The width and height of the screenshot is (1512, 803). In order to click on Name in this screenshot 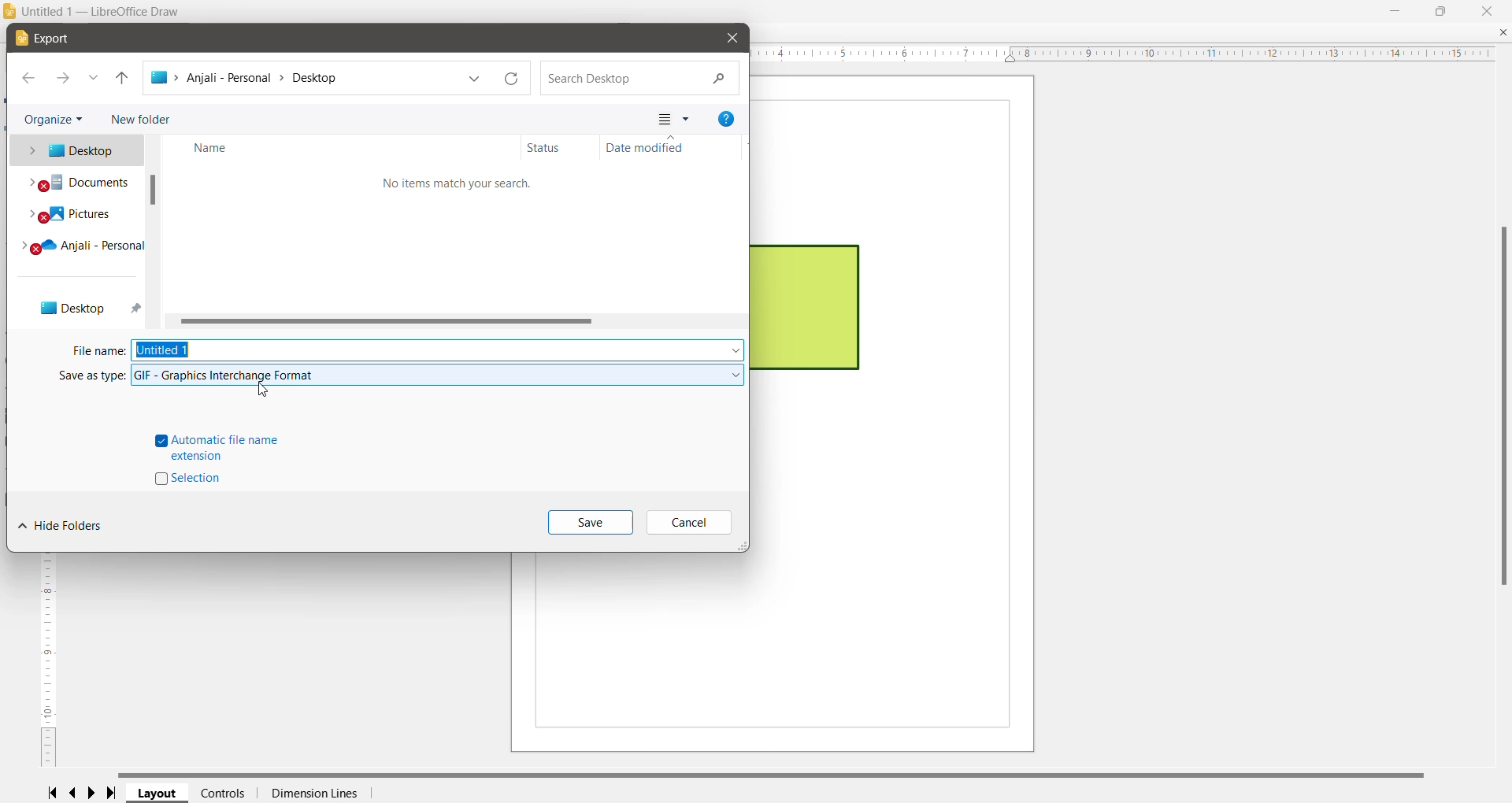, I will do `click(344, 147)`.